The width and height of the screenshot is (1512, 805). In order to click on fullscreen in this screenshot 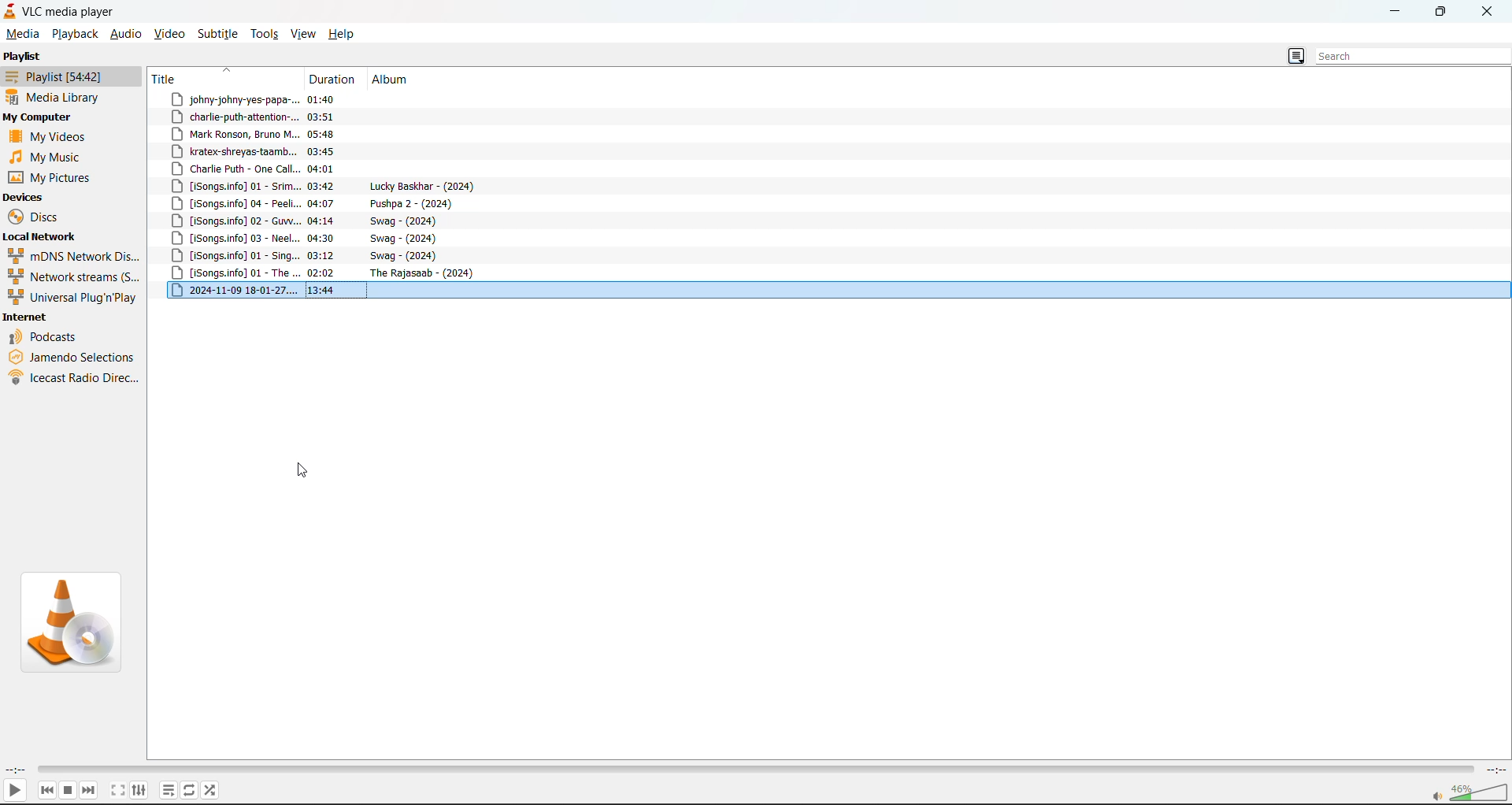, I will do `click(118, 790)`.